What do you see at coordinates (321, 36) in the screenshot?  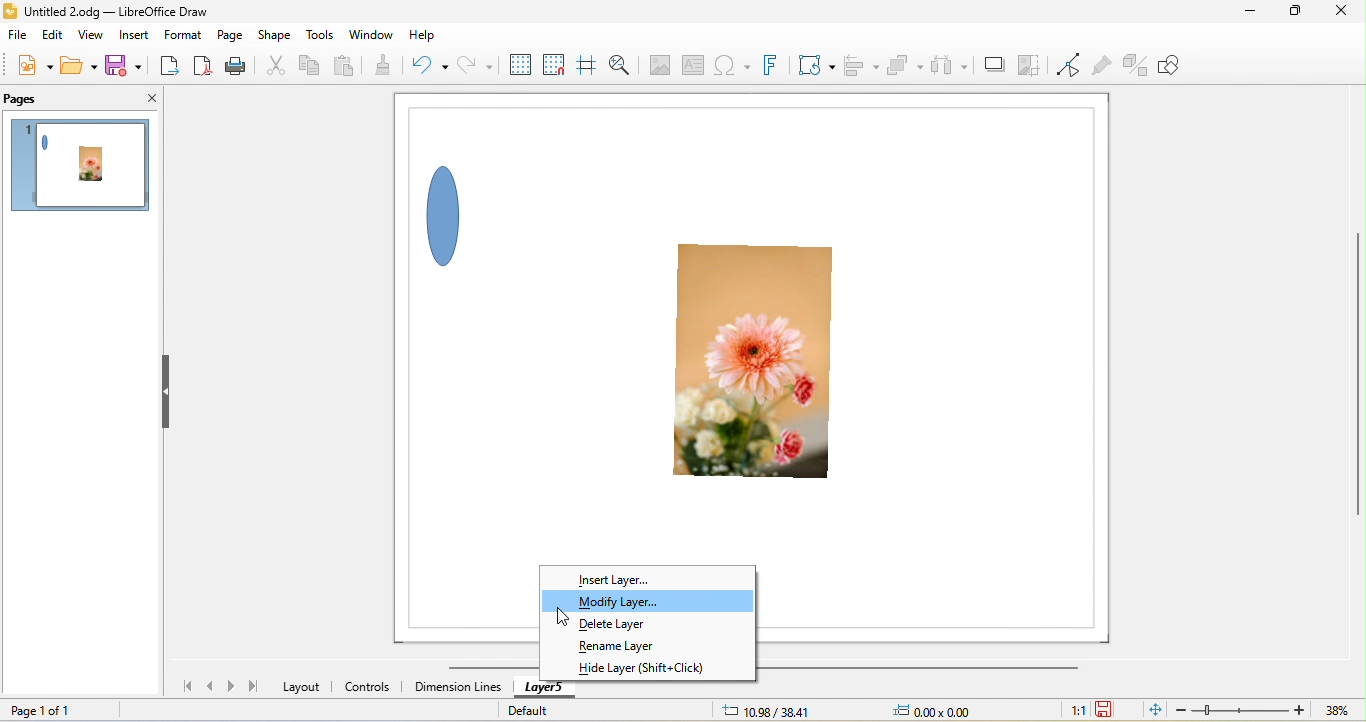 I see `tools` at bounding box center [321, 36].